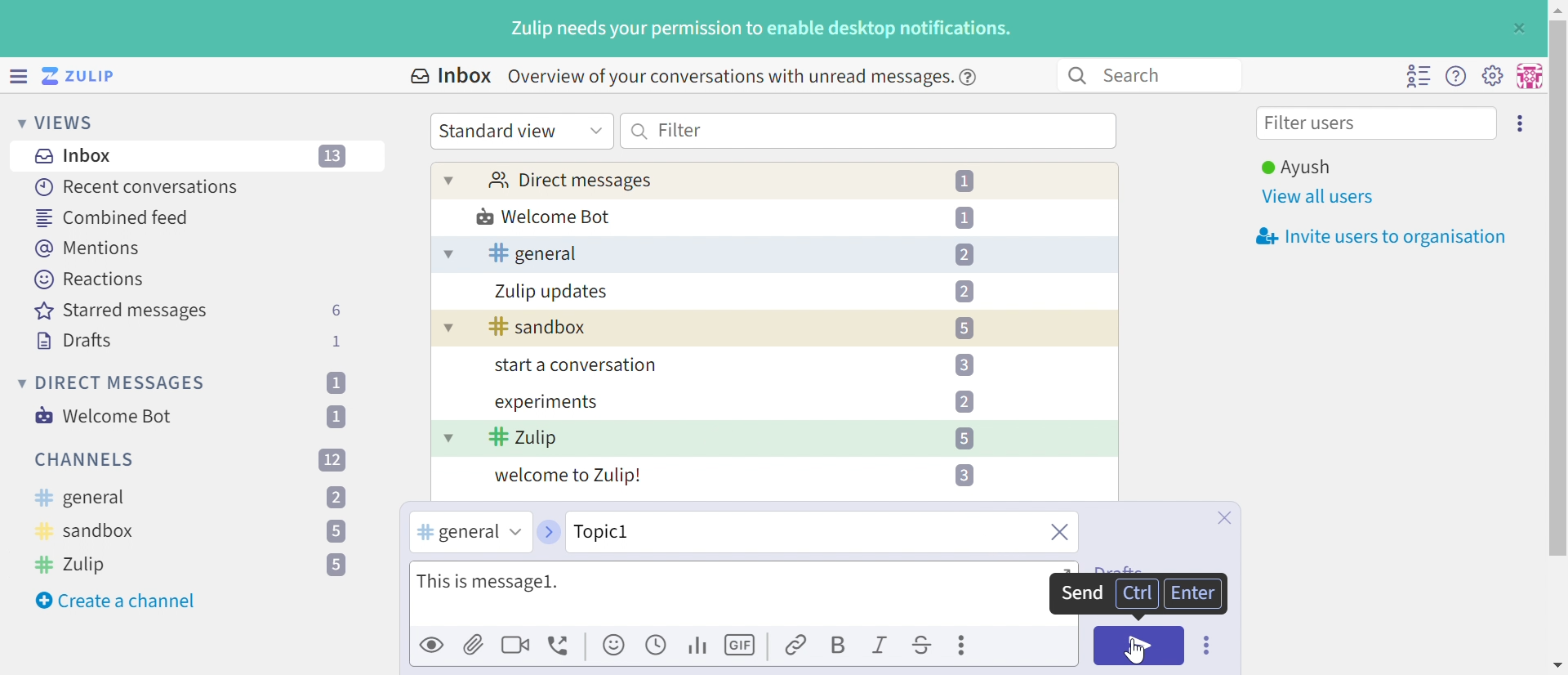  What do you see at coordinates (964, 645) in the screenshot?
I see `More` at bounding box center [964, 645].